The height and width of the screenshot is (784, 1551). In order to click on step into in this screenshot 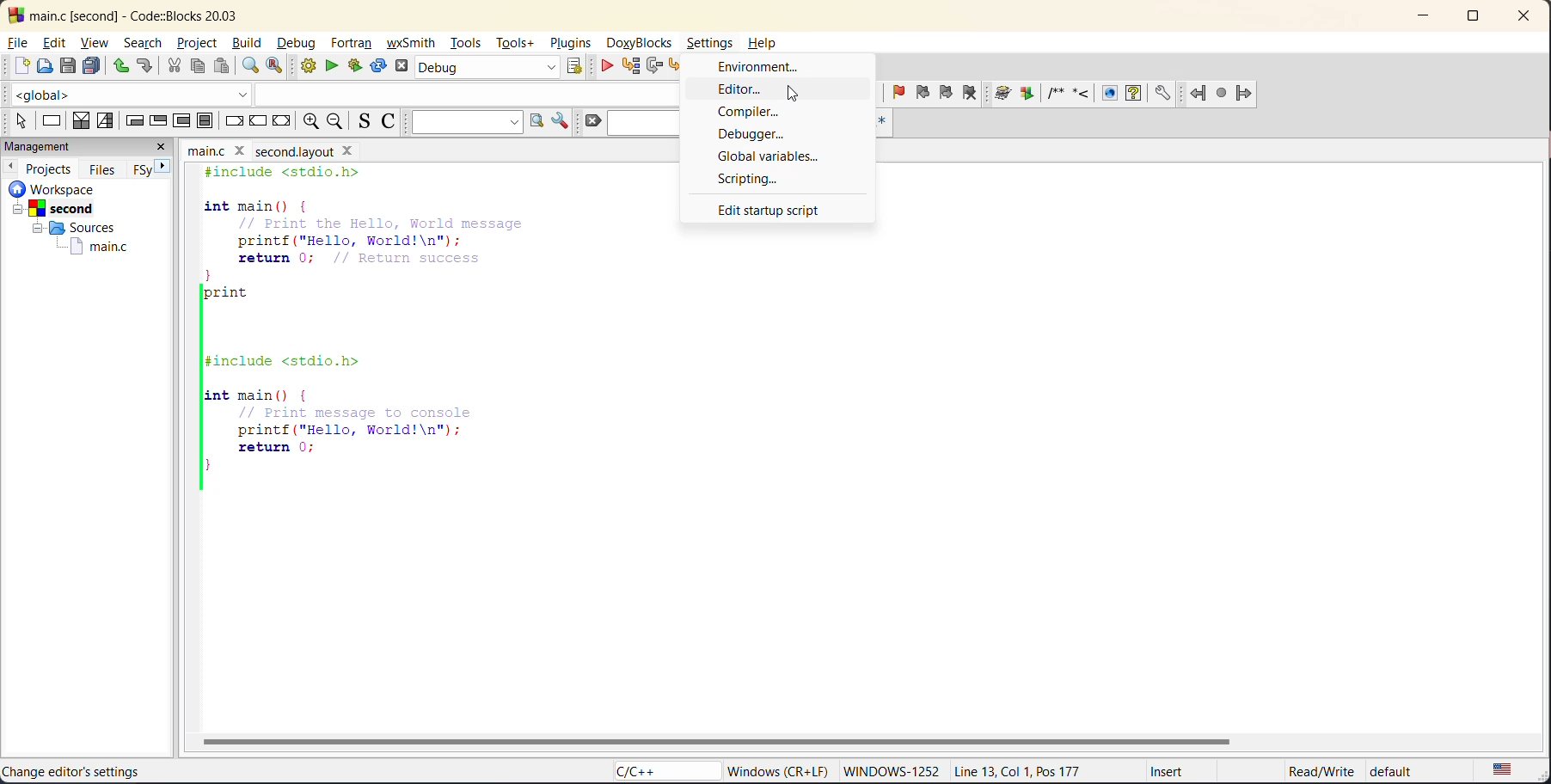, I will do `click(676, 67)`.